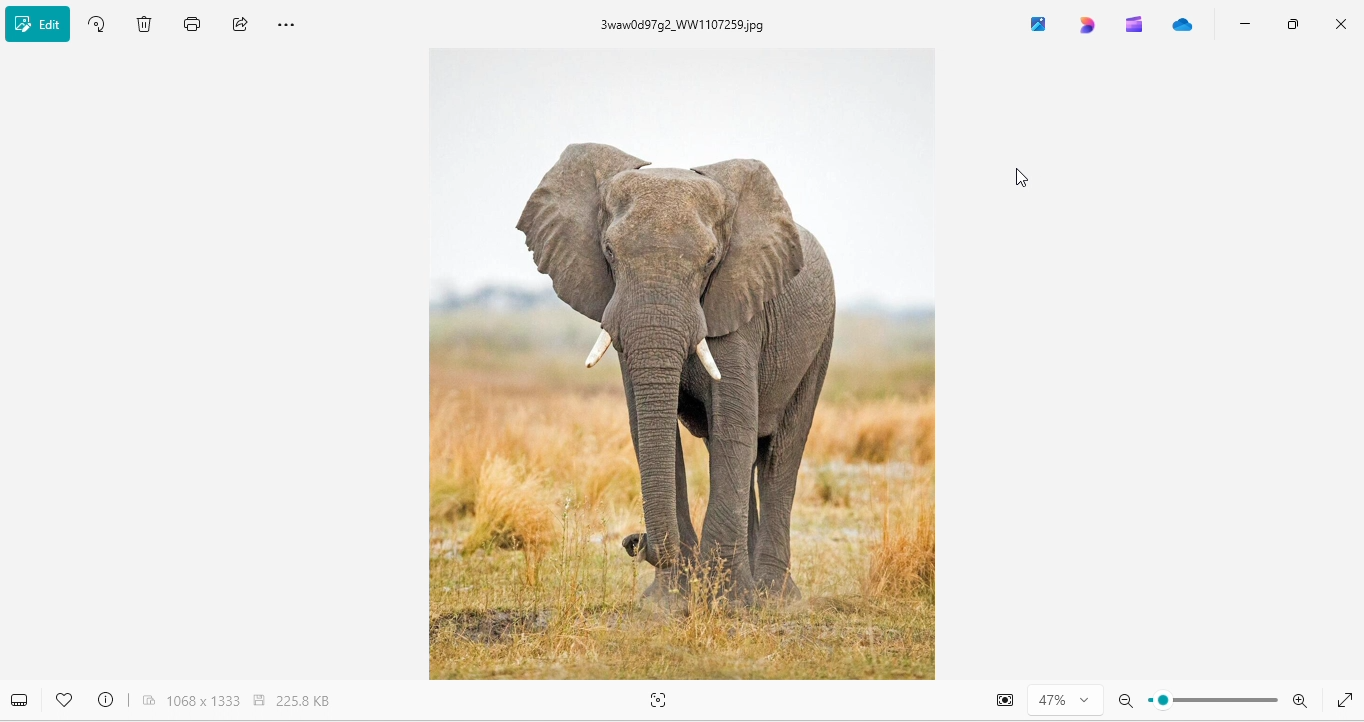 The height and width of the screenshot is (722, 1364). What do you see at coordinates (239, 24) in the screenshot?
I see `share` at bounding box center [239, 24].